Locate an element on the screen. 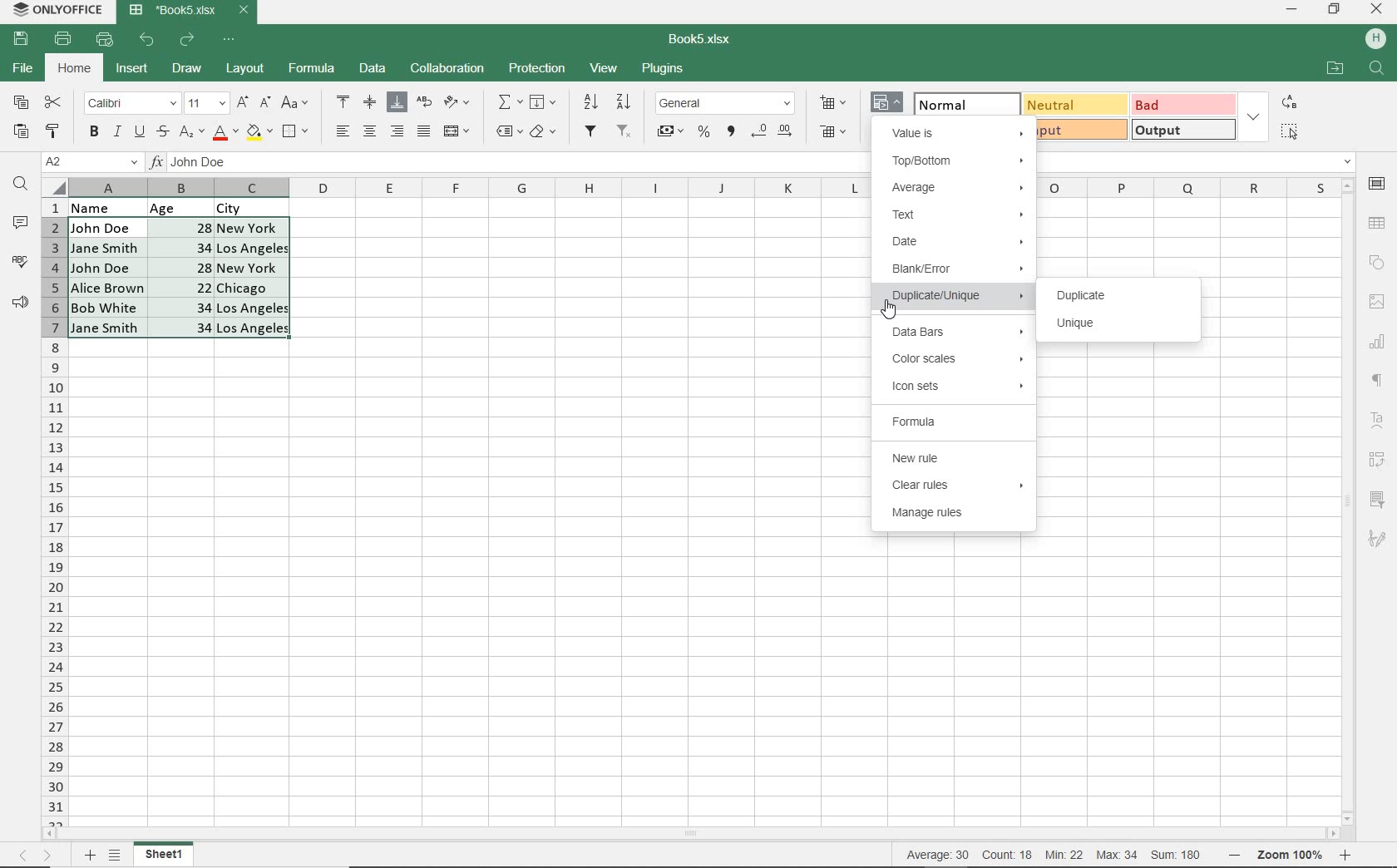  sheet 1 is located at coordinates (165, 855).